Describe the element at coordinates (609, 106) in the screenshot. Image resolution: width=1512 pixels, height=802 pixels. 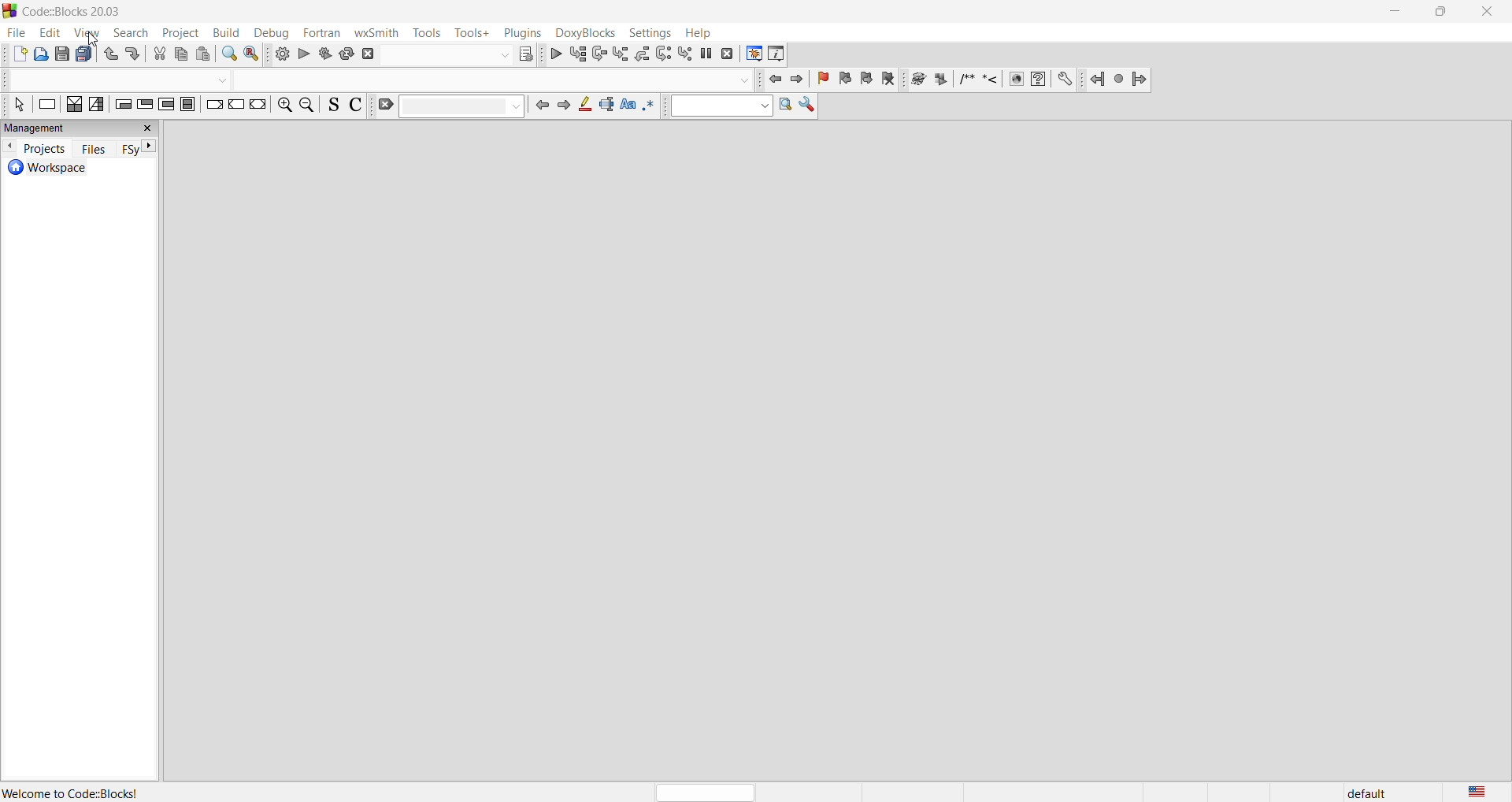
I see `selected text ` at that location.